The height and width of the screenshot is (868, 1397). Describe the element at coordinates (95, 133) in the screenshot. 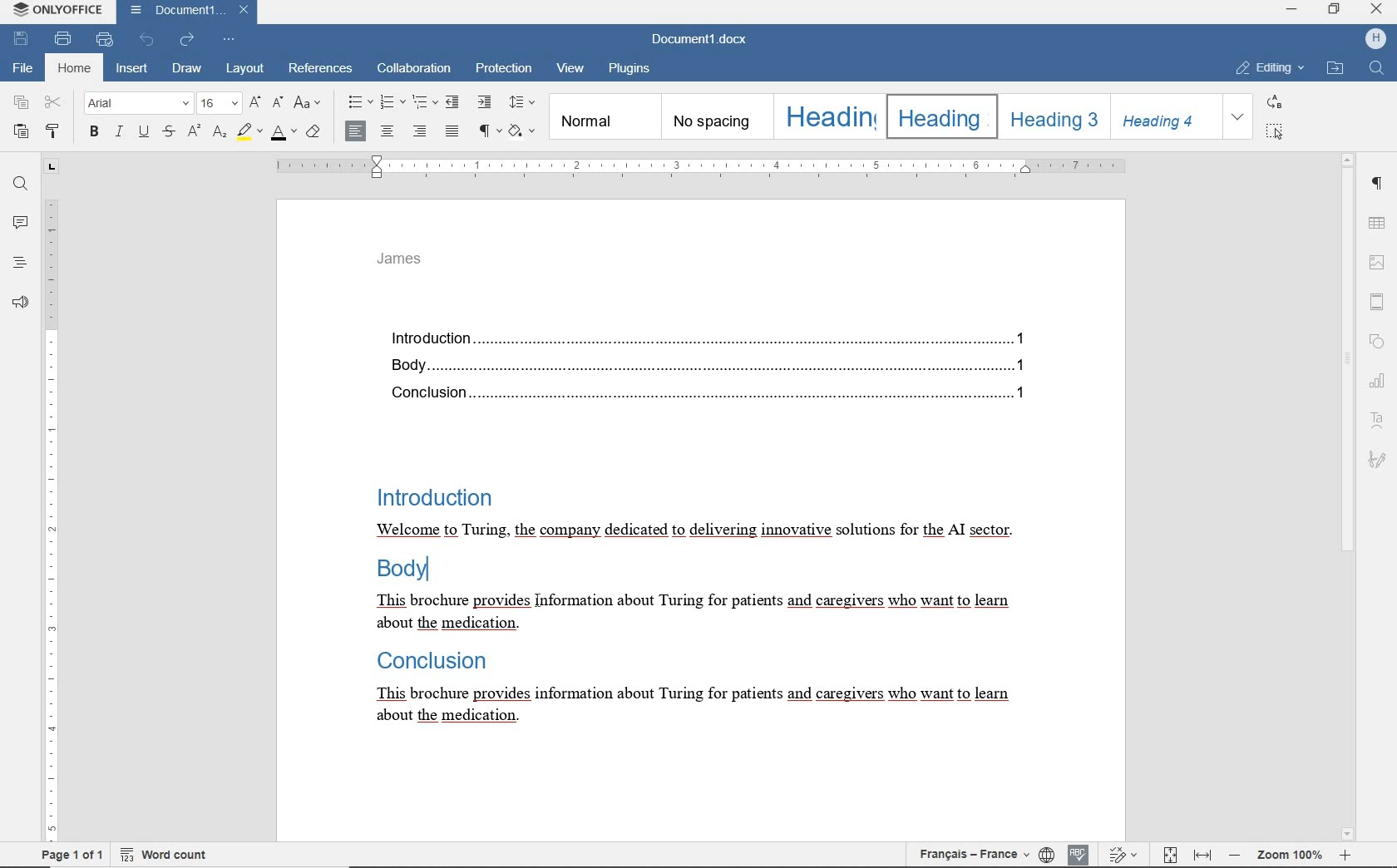

I see `BOLD` at that location.